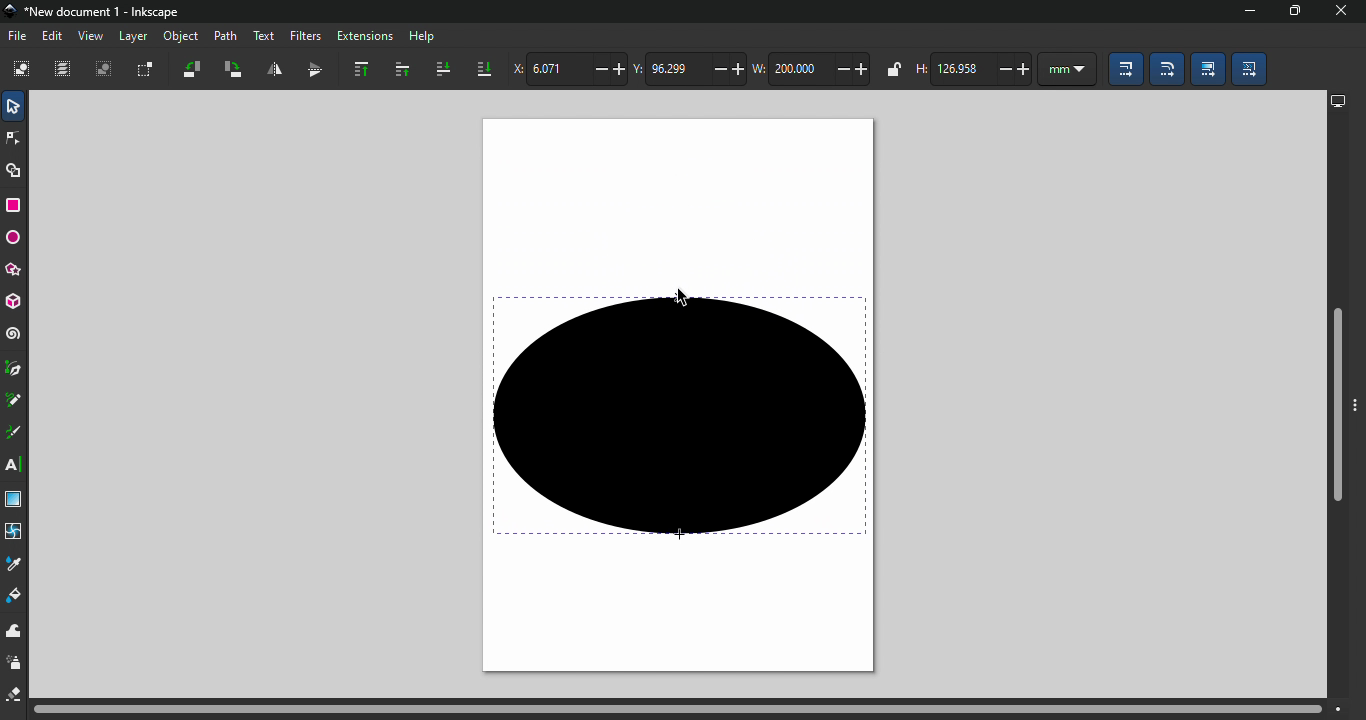  Describe the element at coordinates (313, 71) in the screenshot. I see `Object flip vertical` at that location.